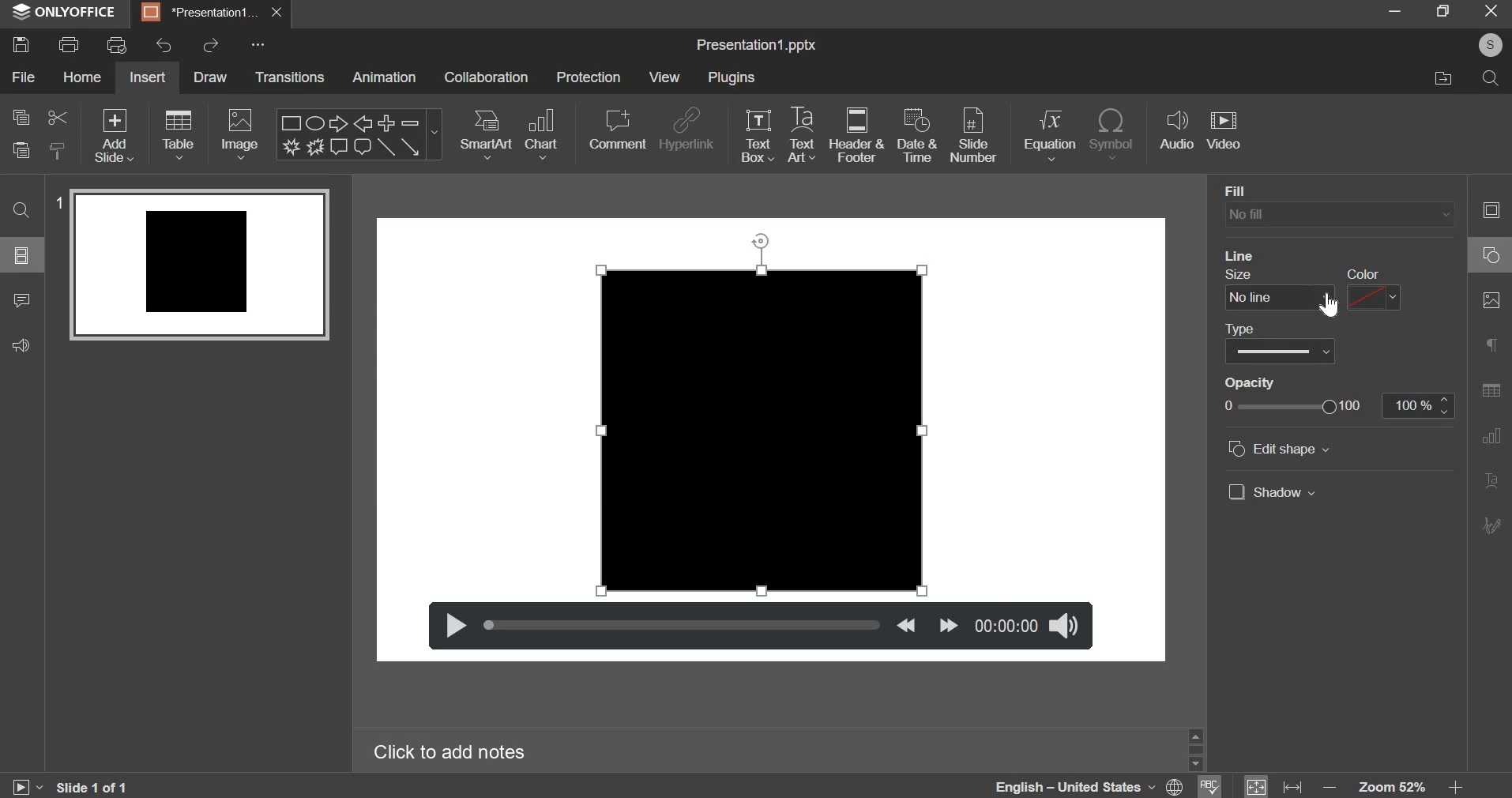  Describe the element at coordinates (1050, 135) in the screenshot. I see `equation` at that location.